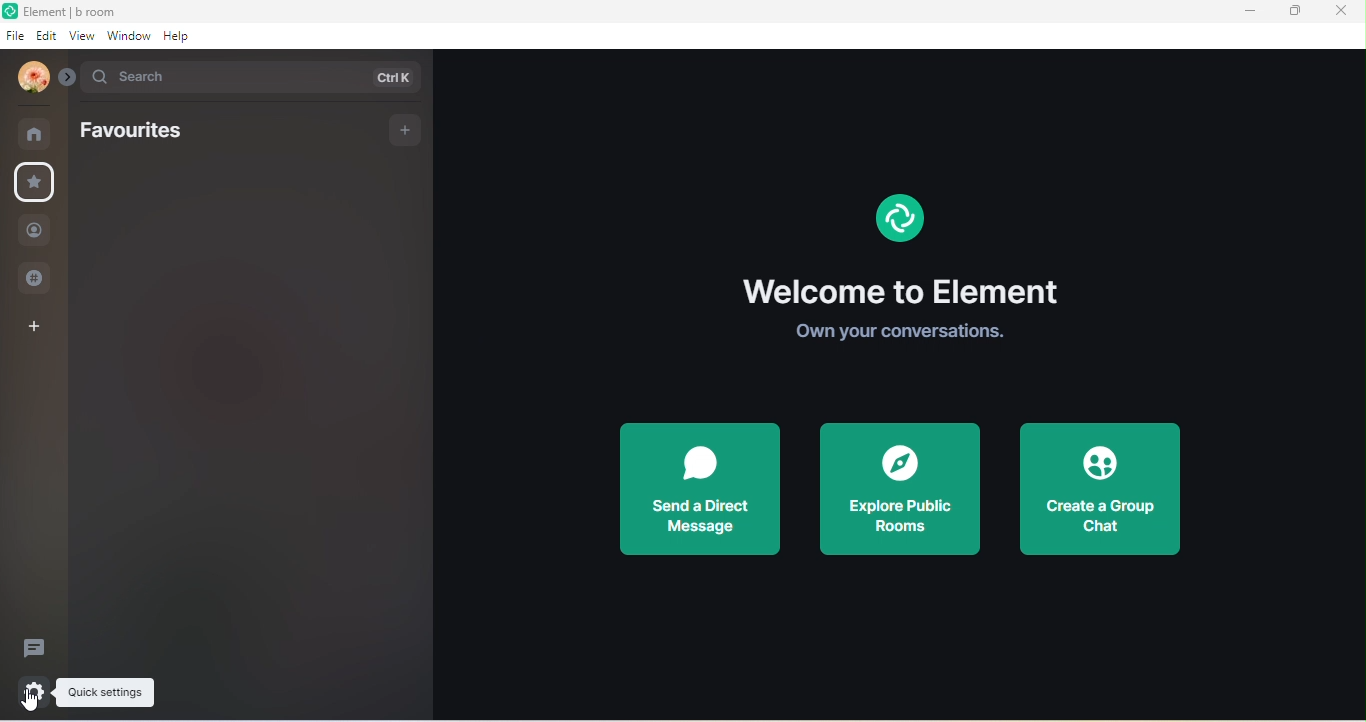 Image resolution: width=1366 pixels, height=722 pixels. What do you see at coordinates (71, 10) in the screenshot?
I see `element b room` at bounding box center [71, 10].